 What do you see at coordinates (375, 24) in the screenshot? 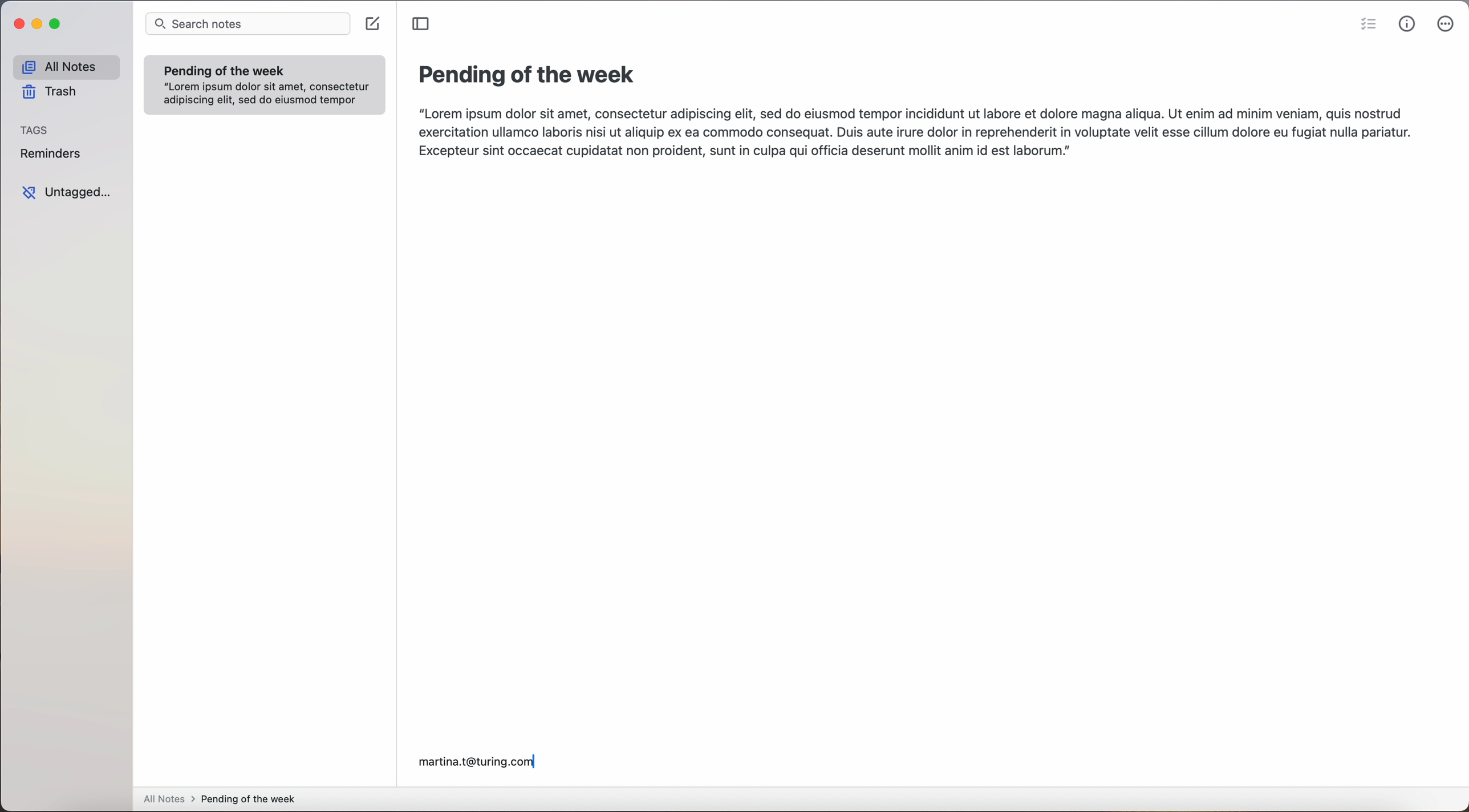
I see `create note` at bounding box center [375, 24].